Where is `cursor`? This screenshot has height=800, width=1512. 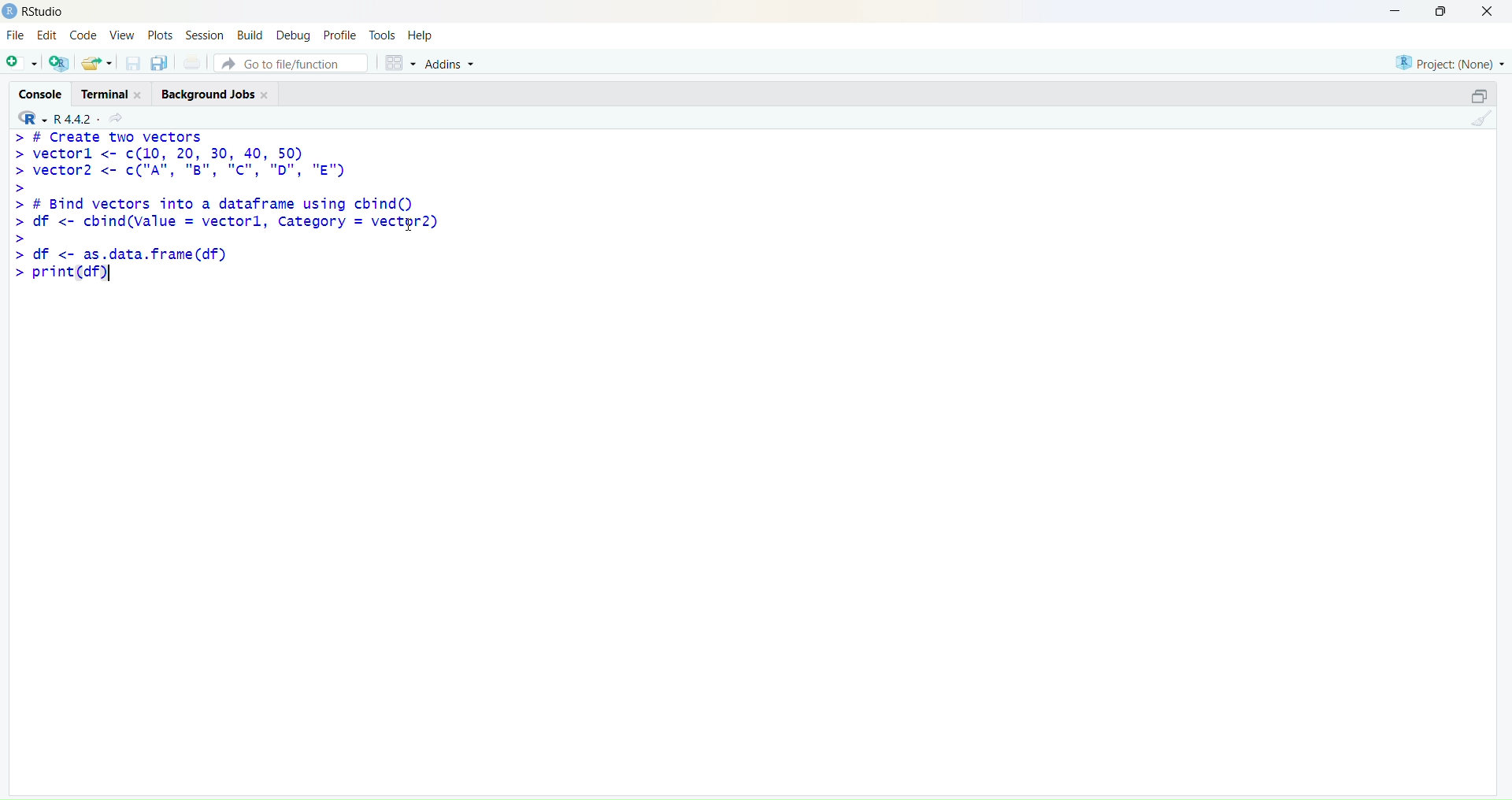
cursor is located at coordinates (409, 224).